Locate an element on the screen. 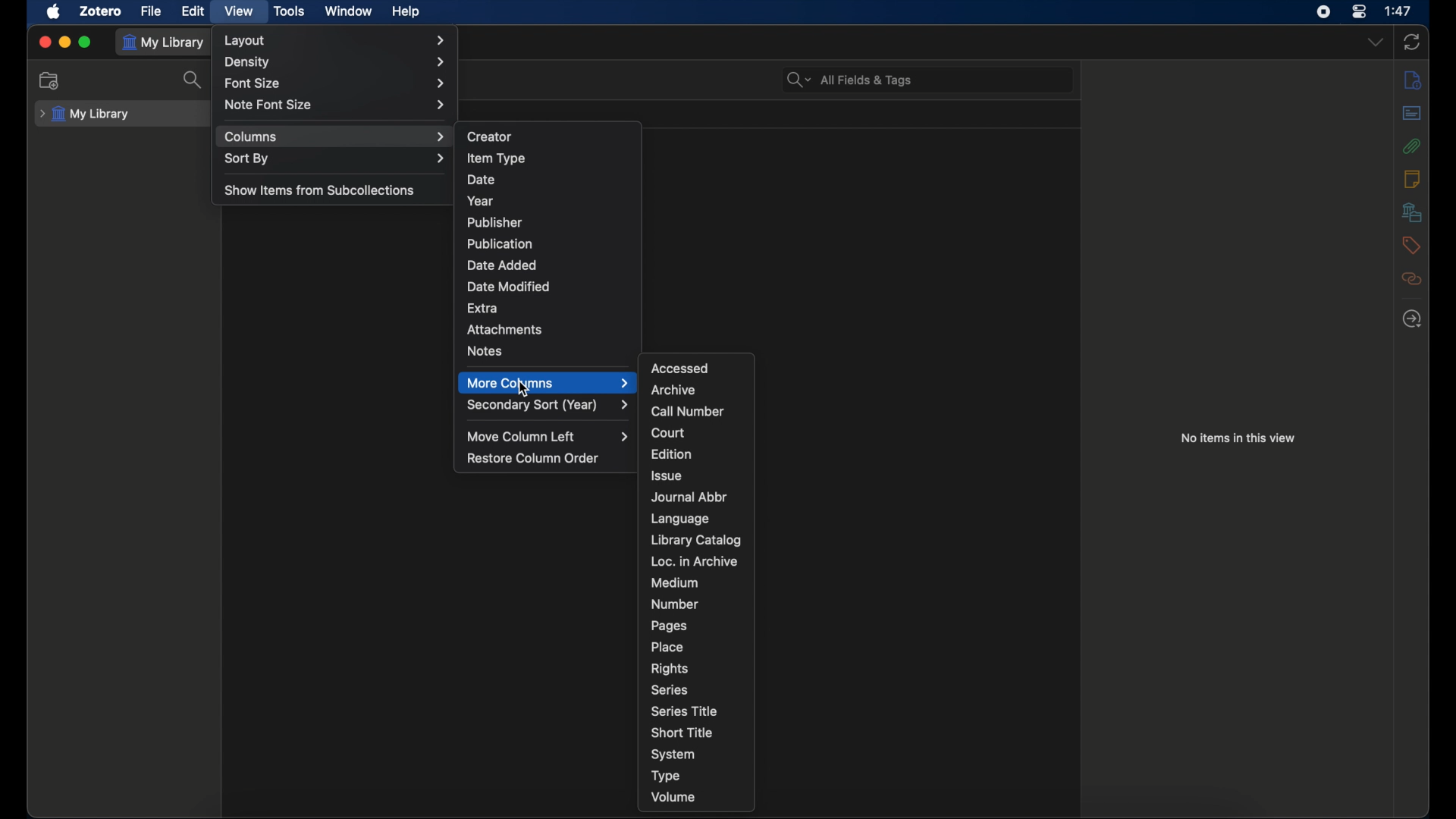 This screenshot has width=1456, height=819. volume is located at coordinates (673, 797).